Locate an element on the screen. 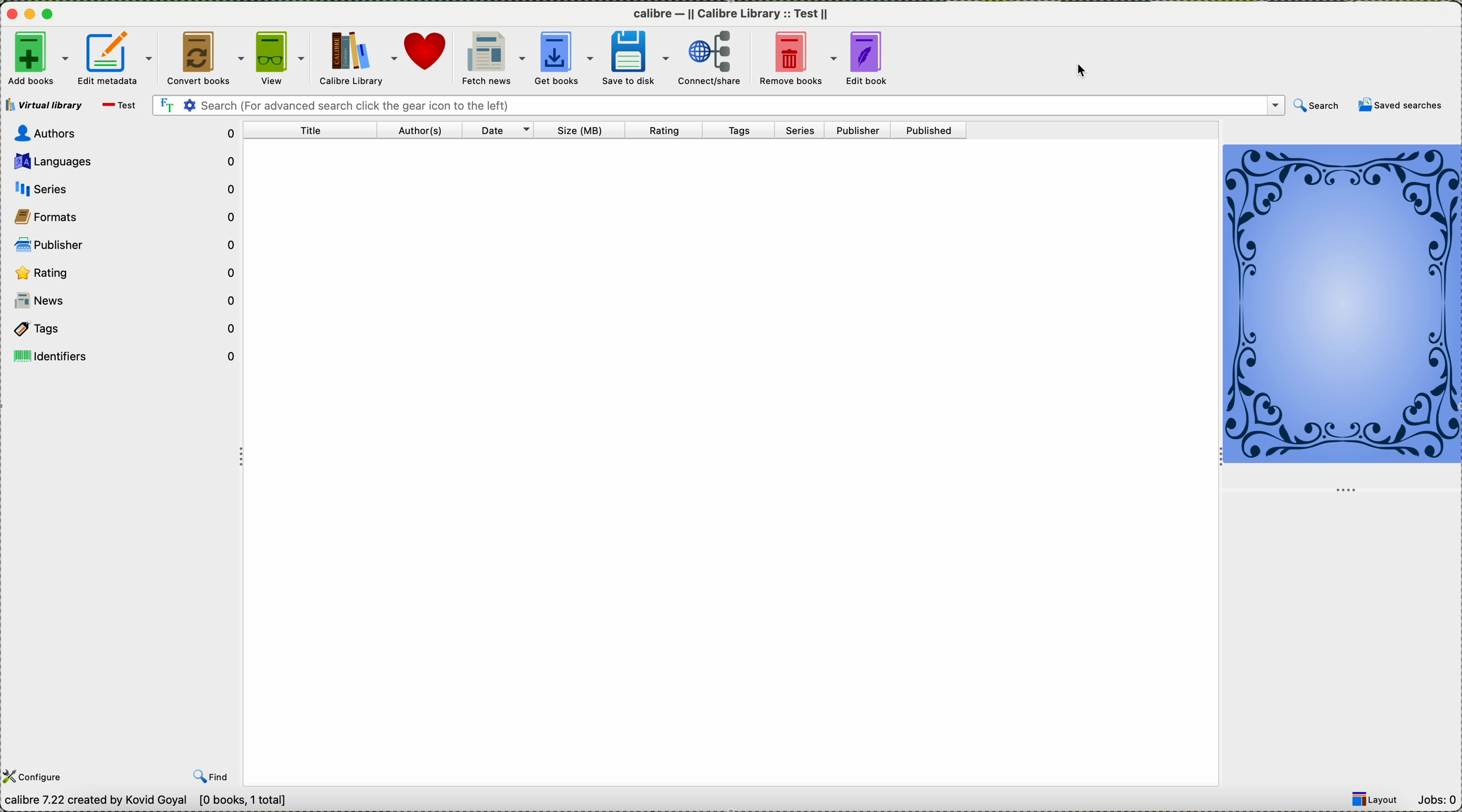 Image resolution: width=1462 pixels, height=812 pixels. search is located at coordinates (1316, 106).